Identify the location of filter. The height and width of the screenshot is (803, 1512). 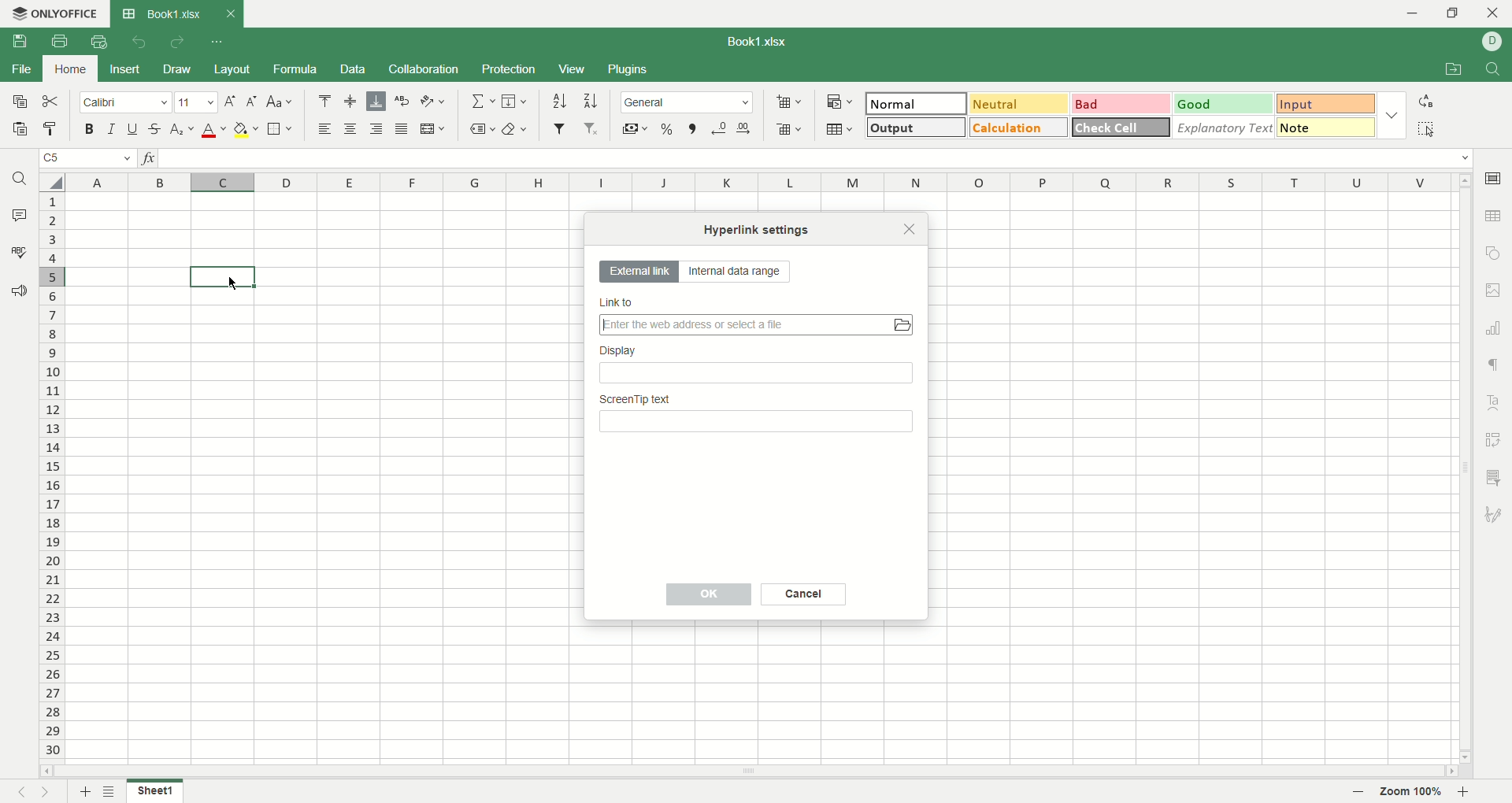
(559, 128).